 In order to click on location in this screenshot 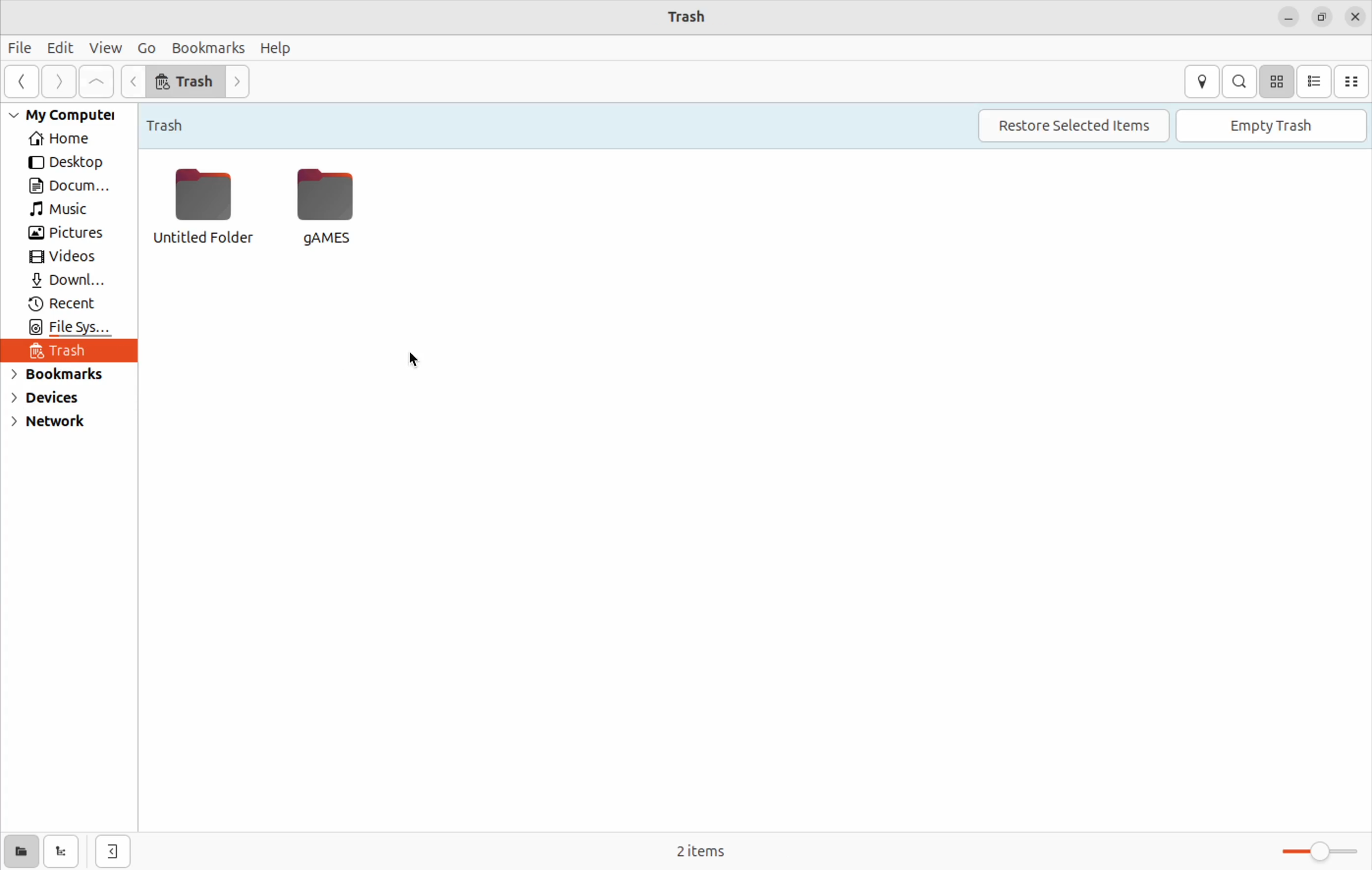, I will do `click(1203, 81)`.